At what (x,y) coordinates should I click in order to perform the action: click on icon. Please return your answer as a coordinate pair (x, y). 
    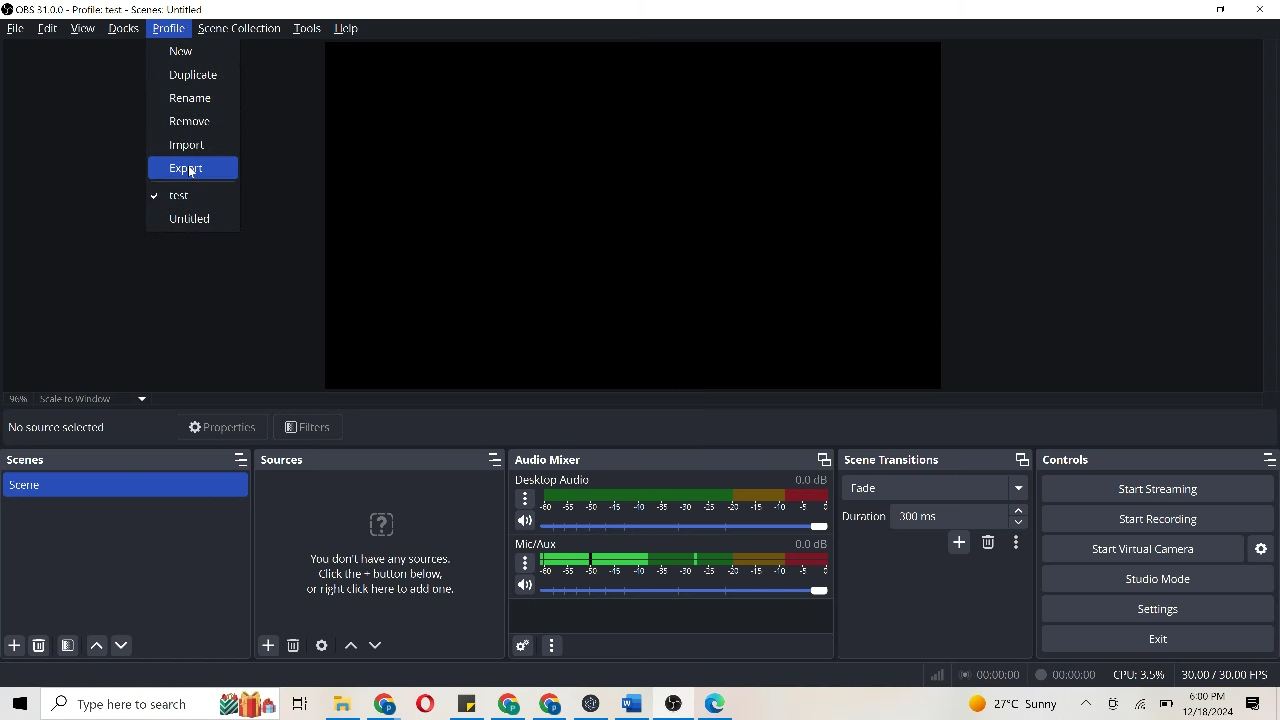
    Looking at the image, I should click on (588, 701).